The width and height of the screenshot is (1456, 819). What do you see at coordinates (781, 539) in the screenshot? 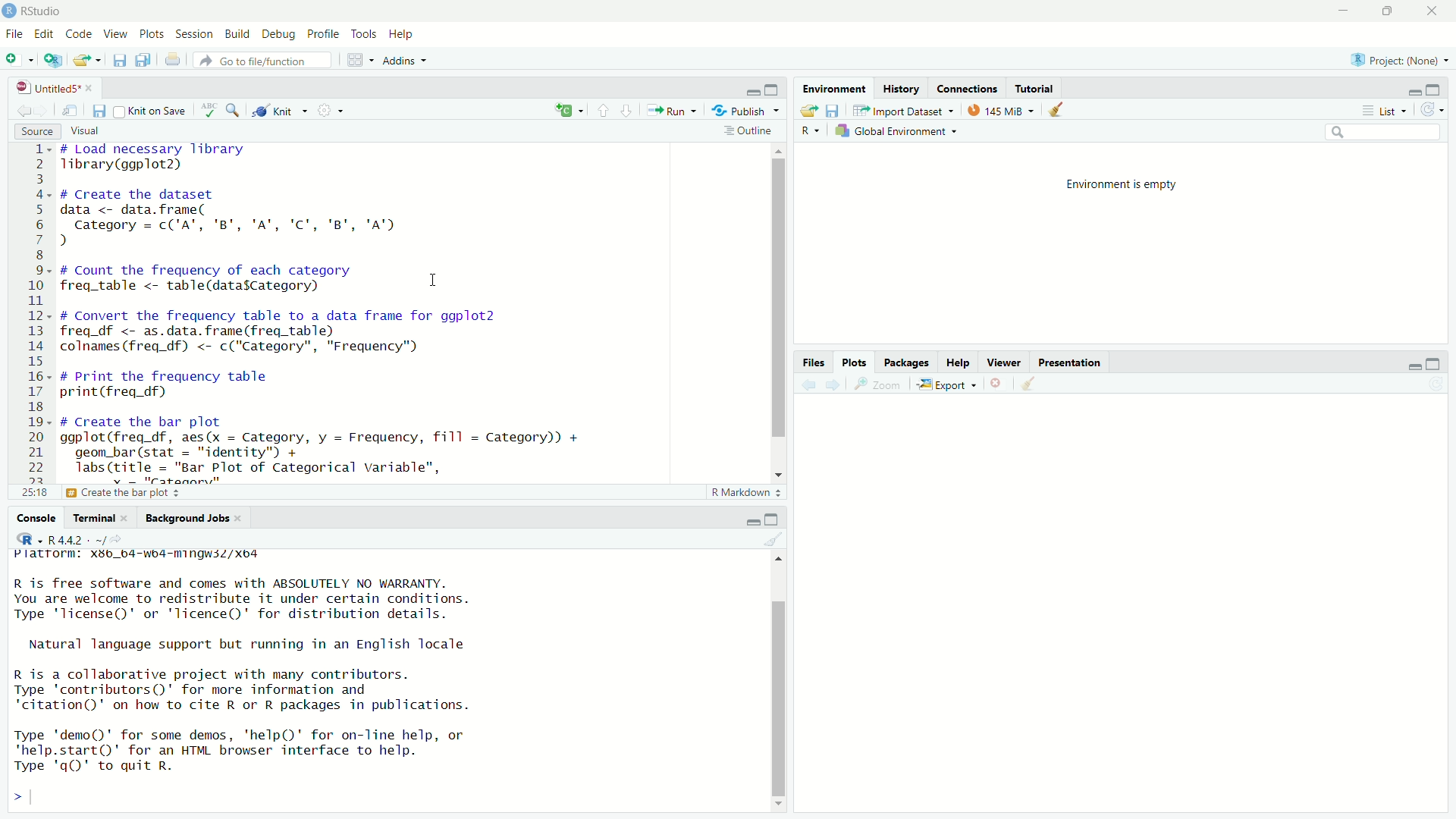
I see `clear console` at bounding box center [781, 539].